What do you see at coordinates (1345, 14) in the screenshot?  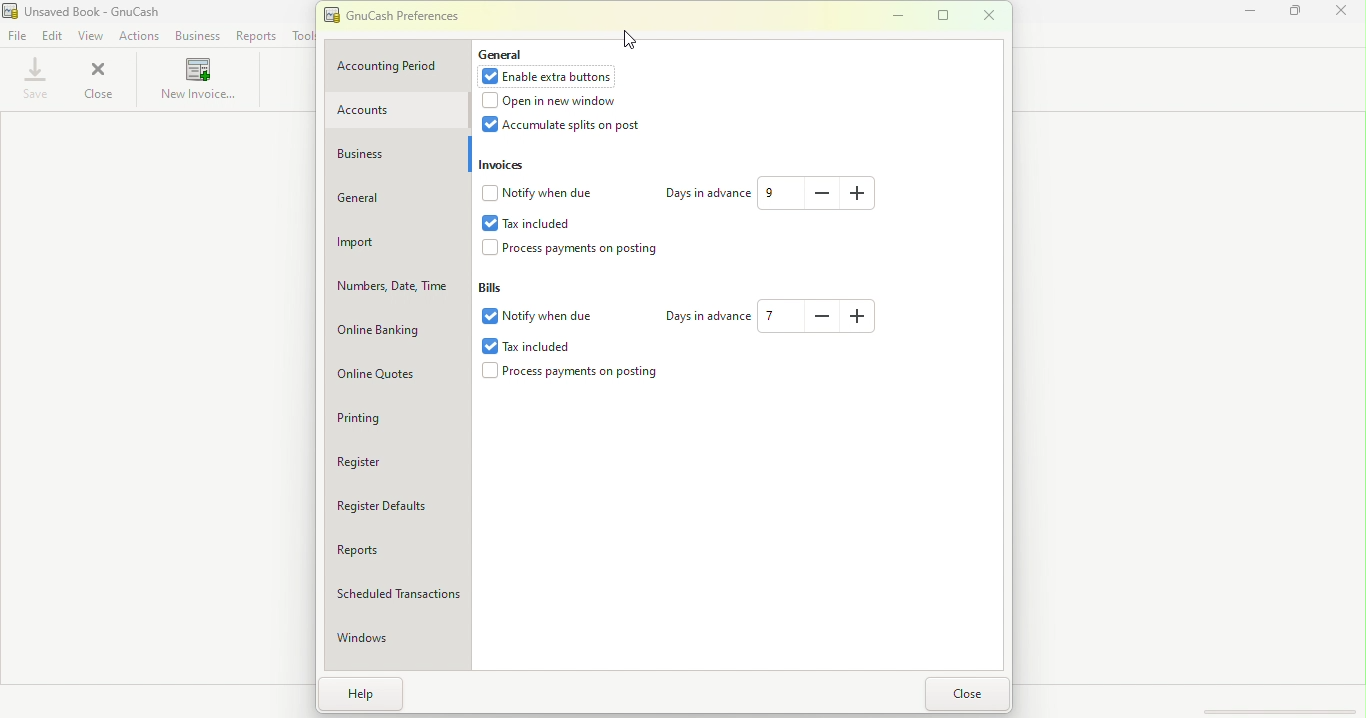 I see `Close` at bounding box center [1345, 14].